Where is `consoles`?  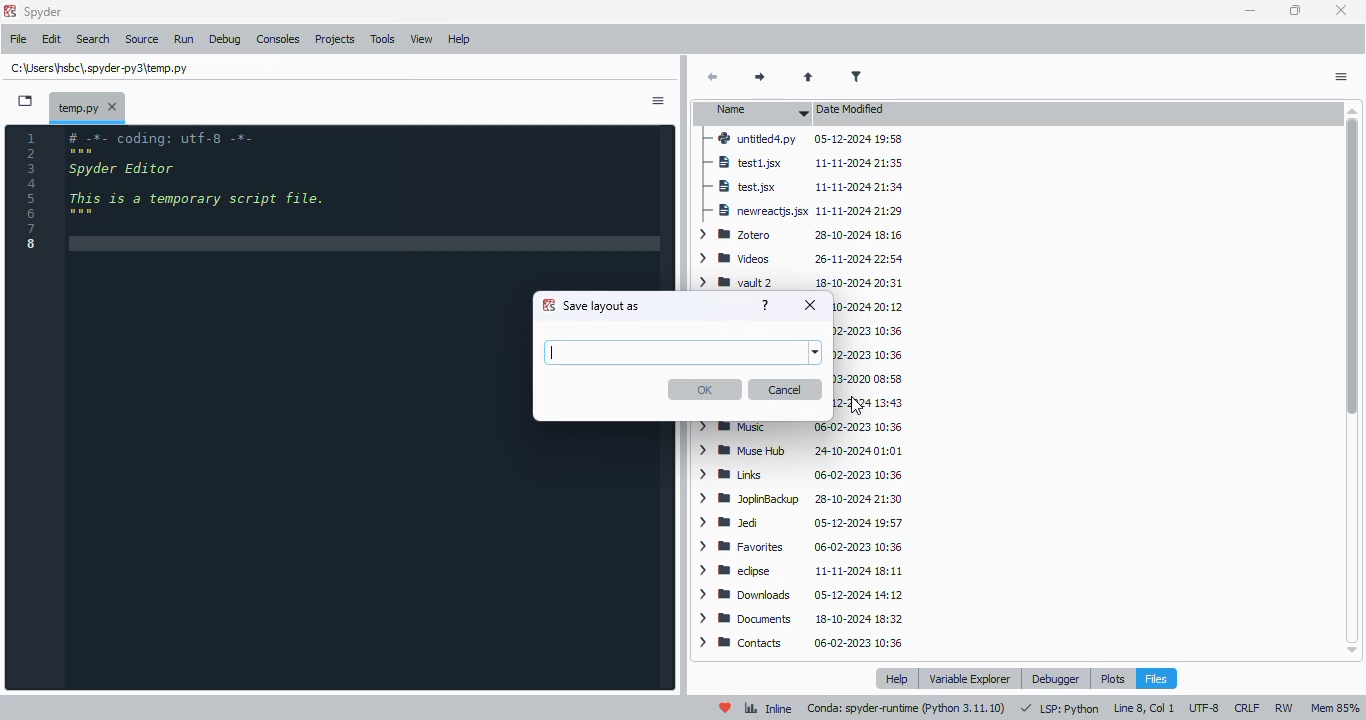
consoles is located at coordinates (279, 39).